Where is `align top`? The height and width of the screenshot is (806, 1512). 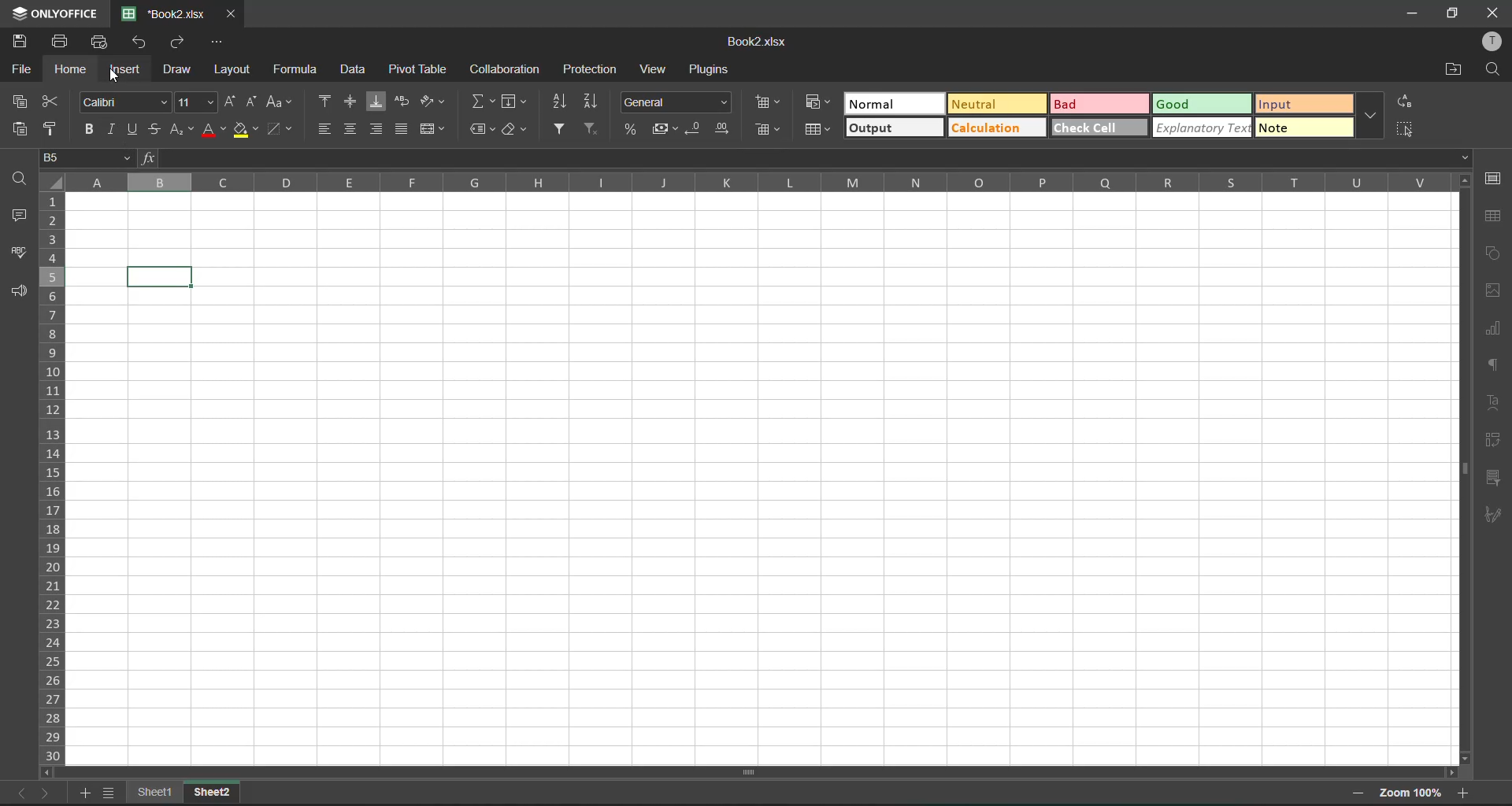
align top is located at coordinates (326, 100).